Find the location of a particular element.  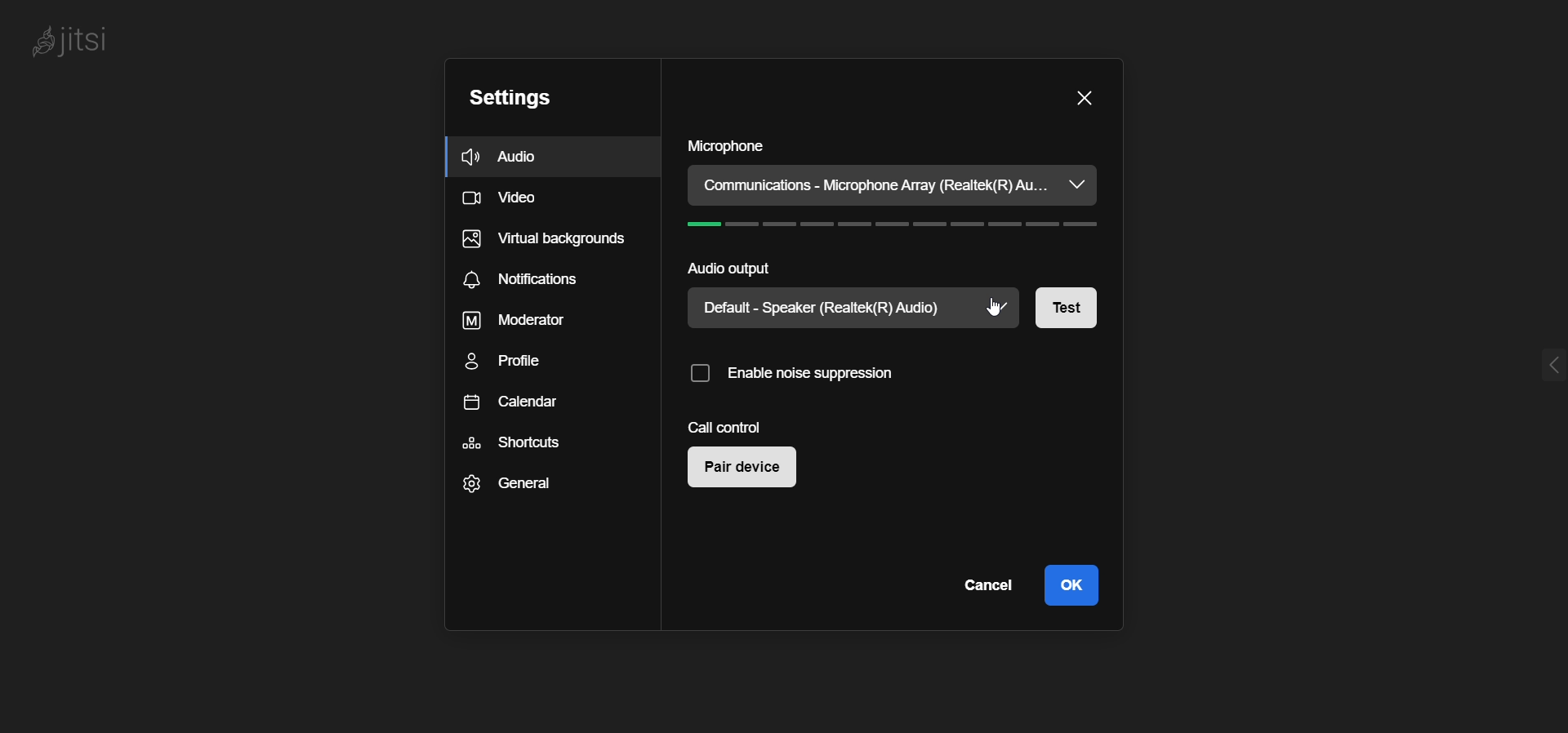

audio output is located at coordinates (725, 269).